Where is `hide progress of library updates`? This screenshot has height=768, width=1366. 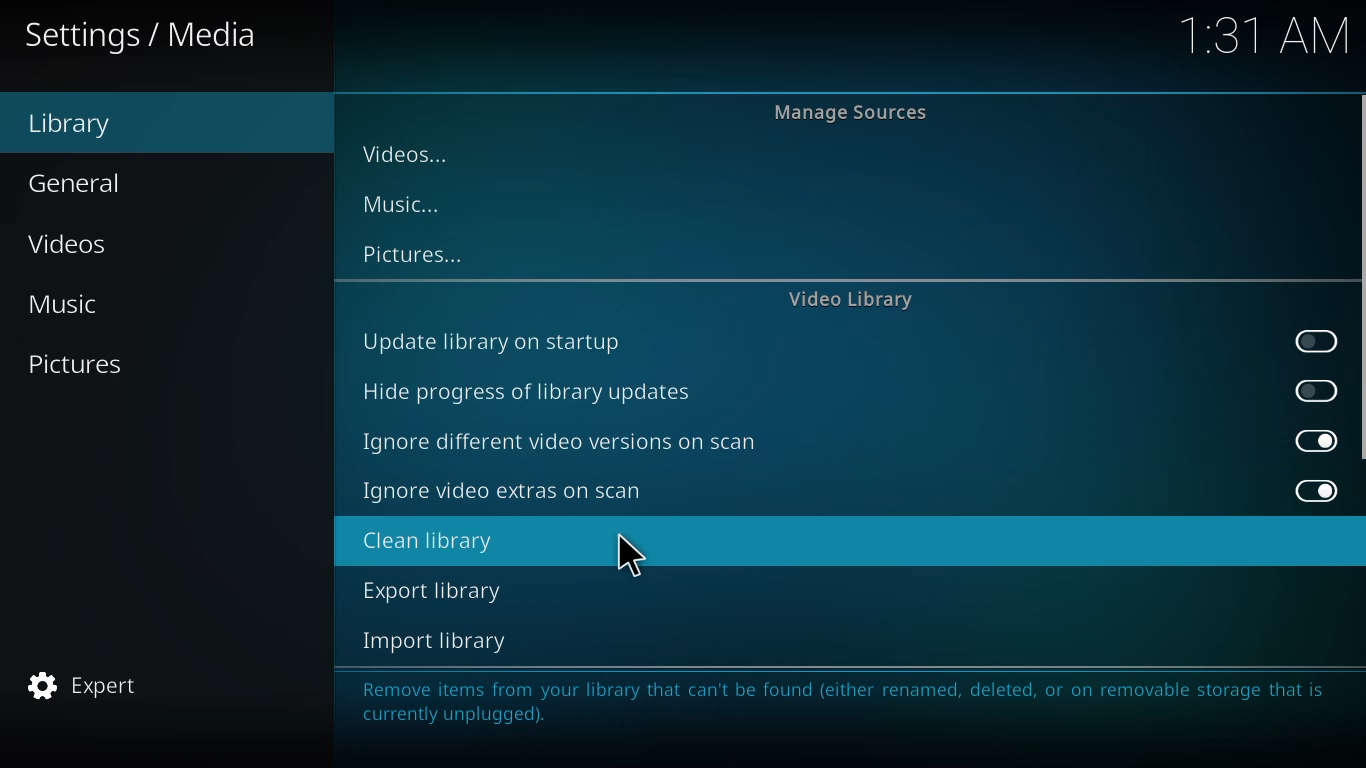
hide progress of library updates is located at coordinates (533, 392).